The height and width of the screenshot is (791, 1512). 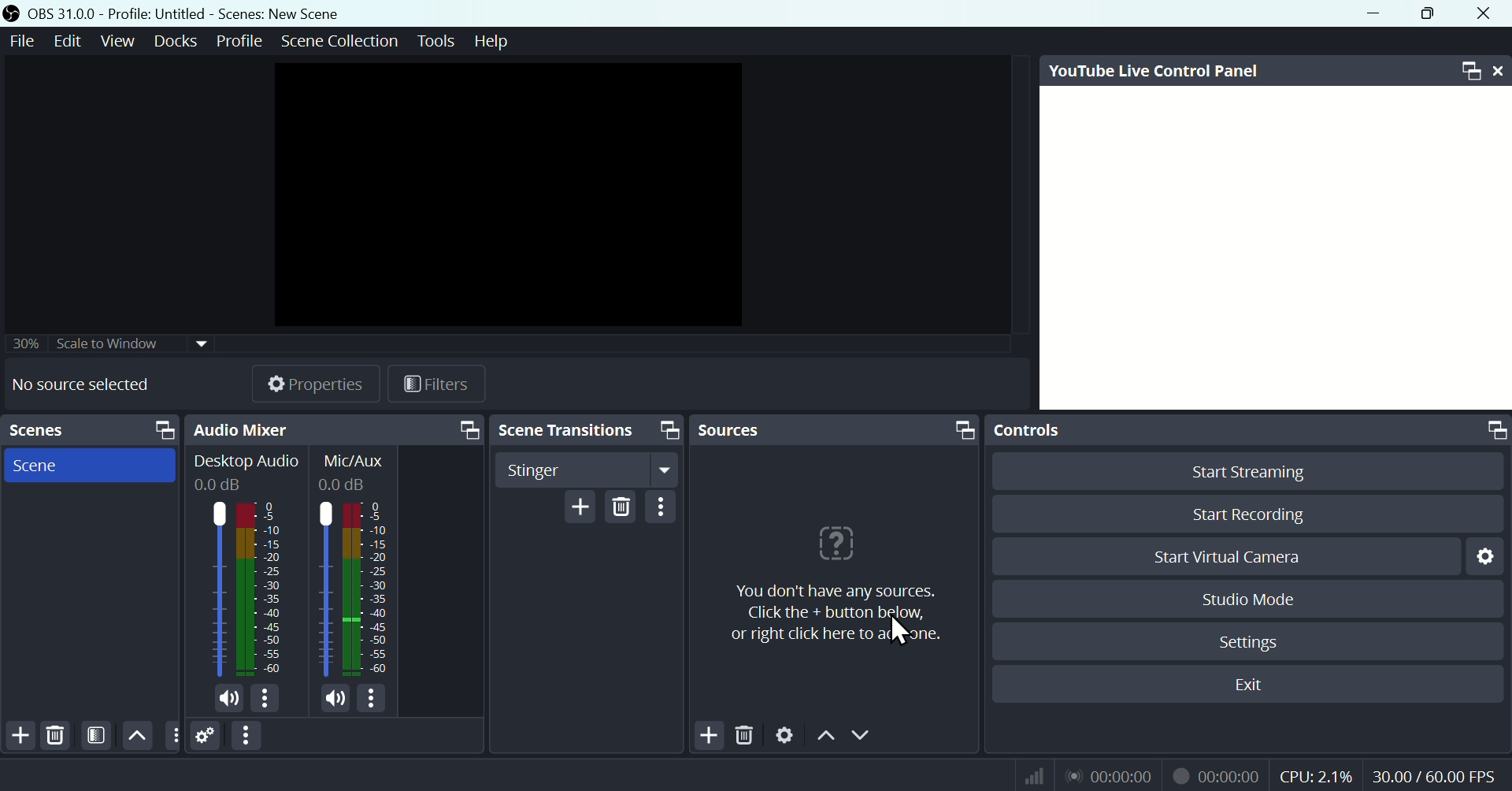 I want to click on Maximise, so click(x=1432, y=13).